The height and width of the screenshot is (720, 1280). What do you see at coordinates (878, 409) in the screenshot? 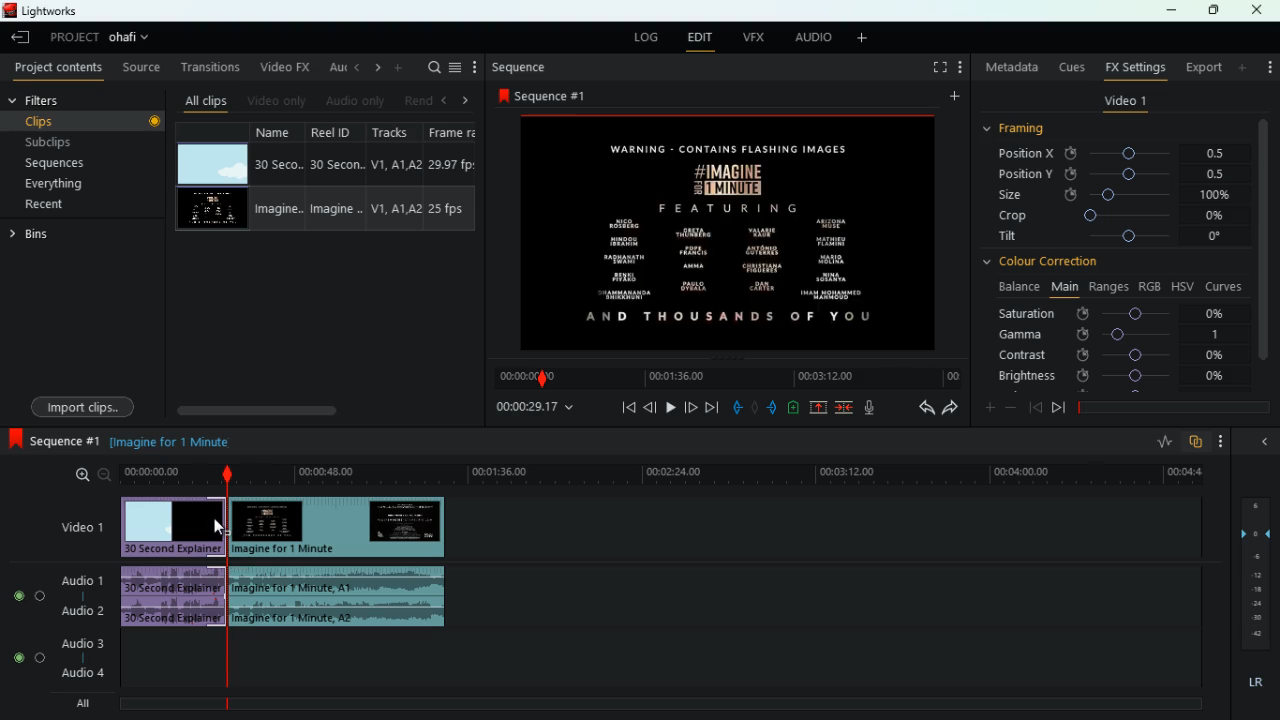
I see `mic` at bounding box center [878, 409].